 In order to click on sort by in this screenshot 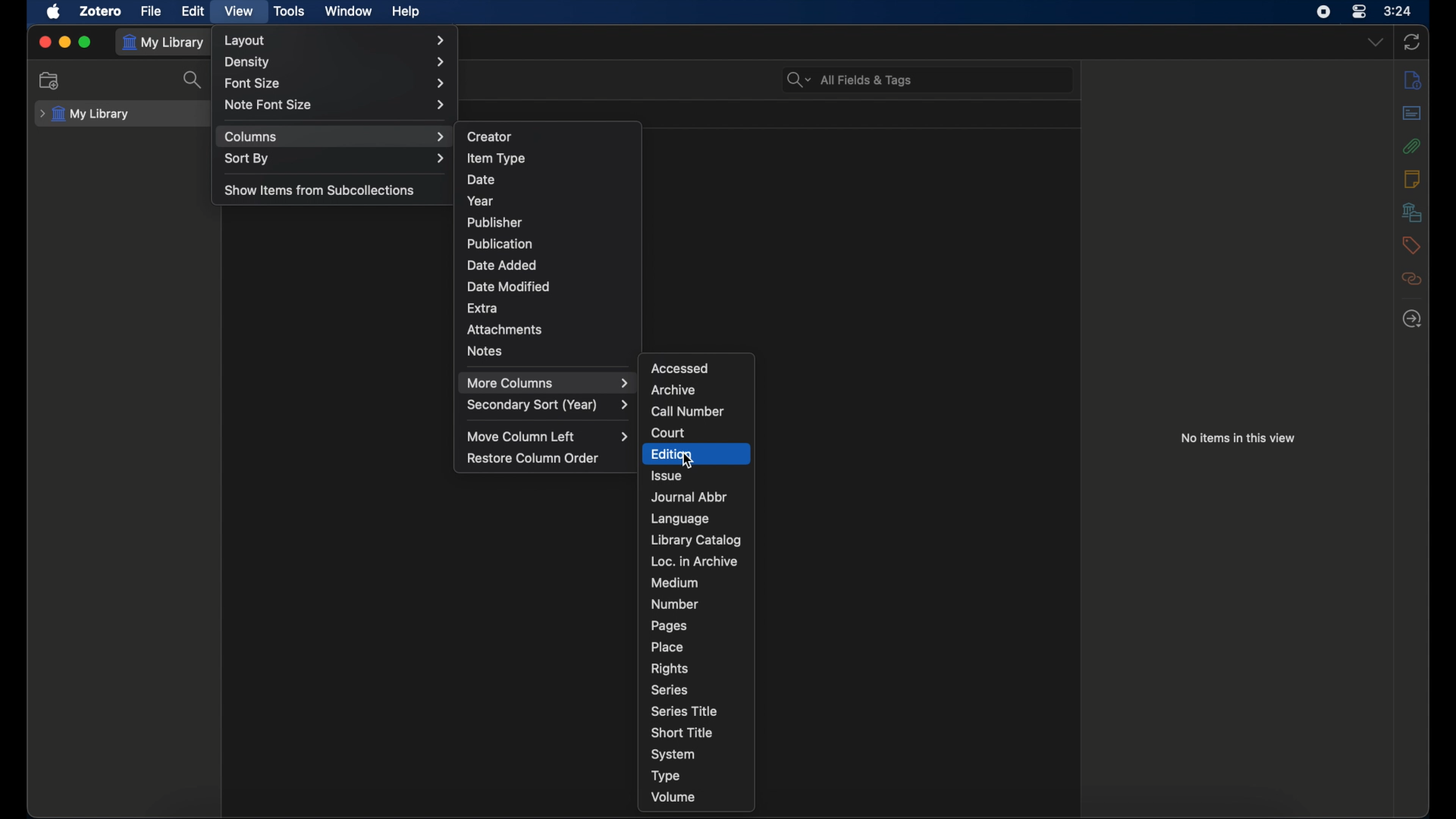, I will do `click(337, 159)`.